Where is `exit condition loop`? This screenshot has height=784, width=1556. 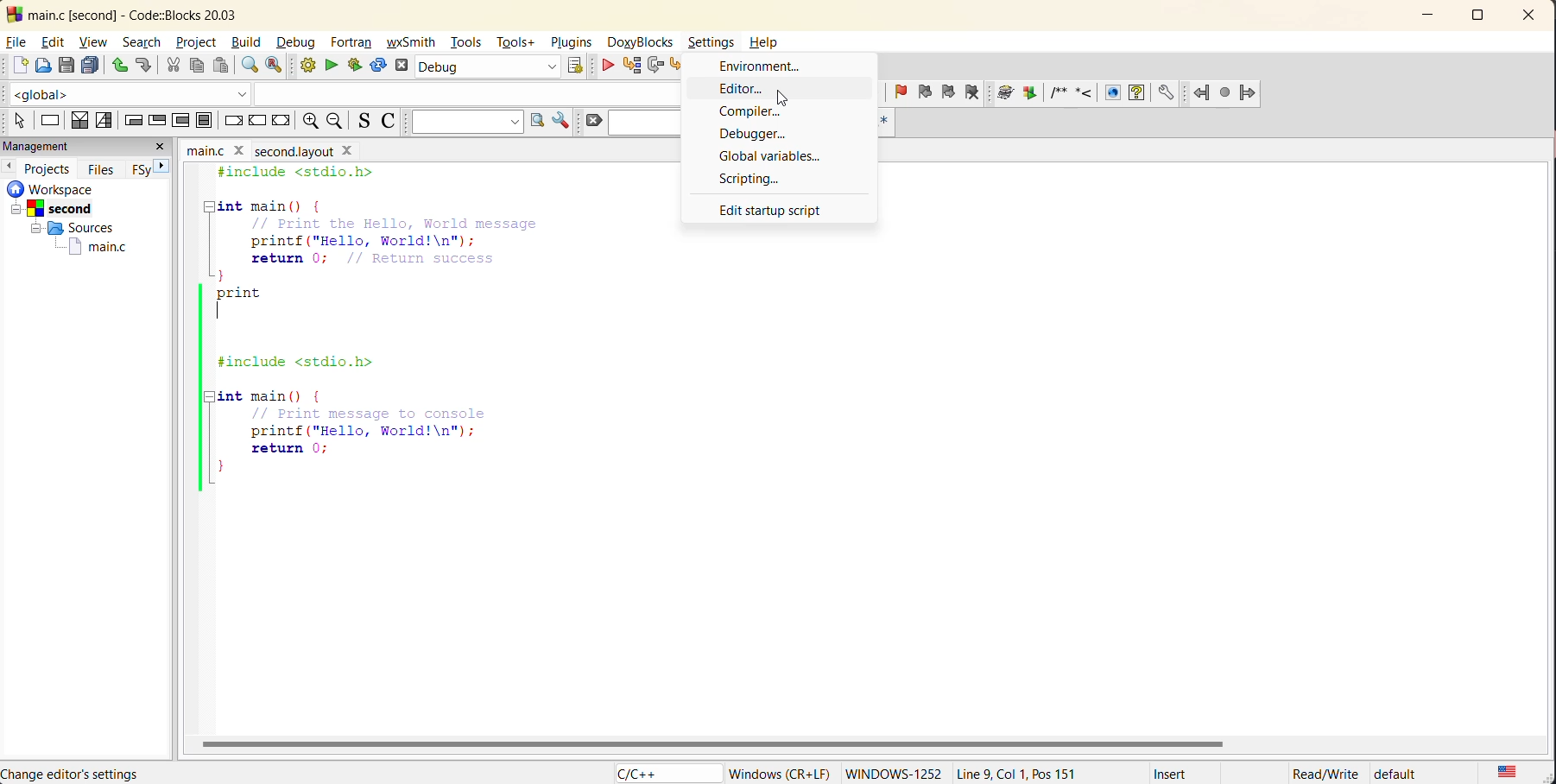 exit condition loop is located at coordinates (156, 119).